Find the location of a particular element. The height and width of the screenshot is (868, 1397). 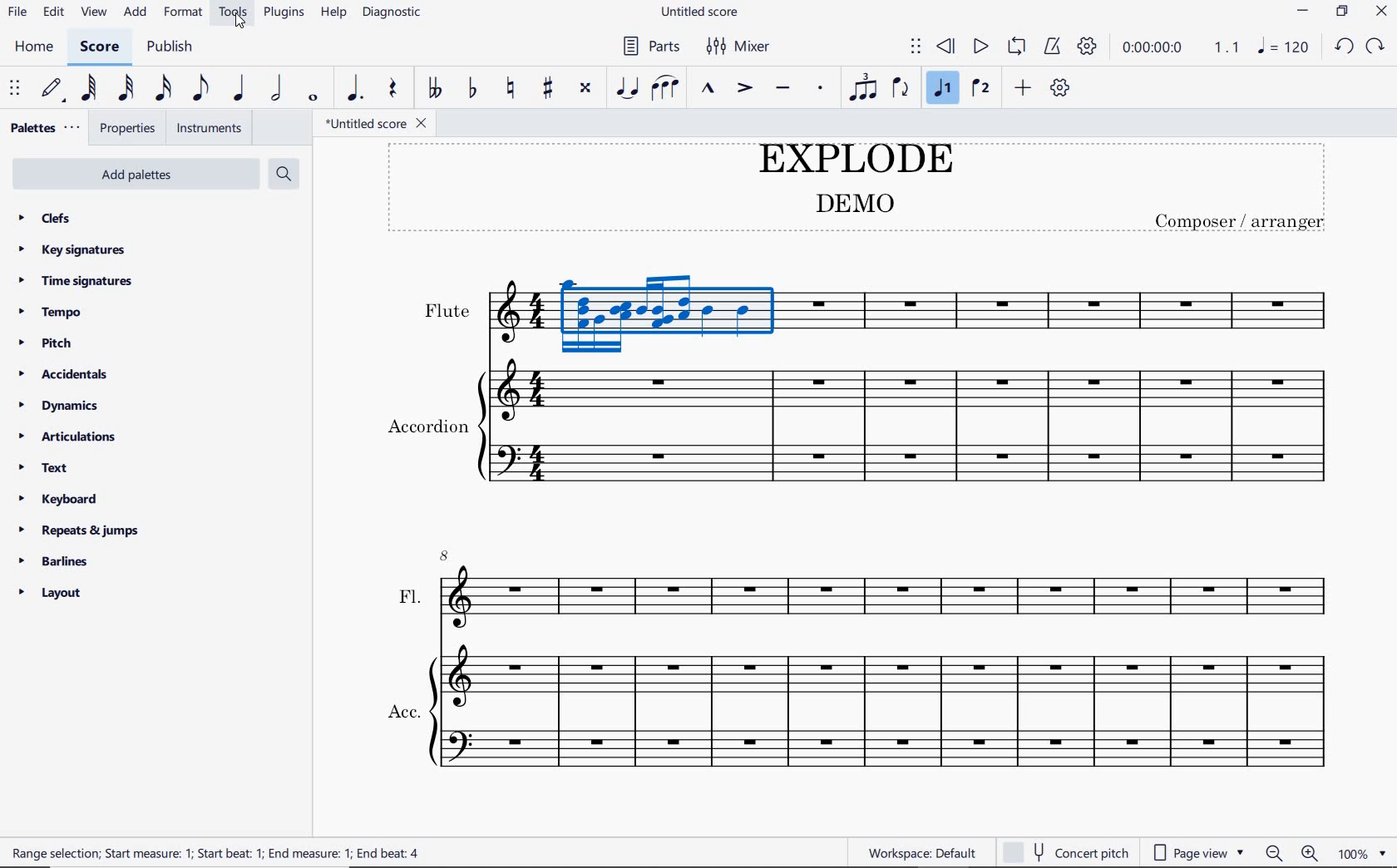

text is located at coordinates (46, 469).